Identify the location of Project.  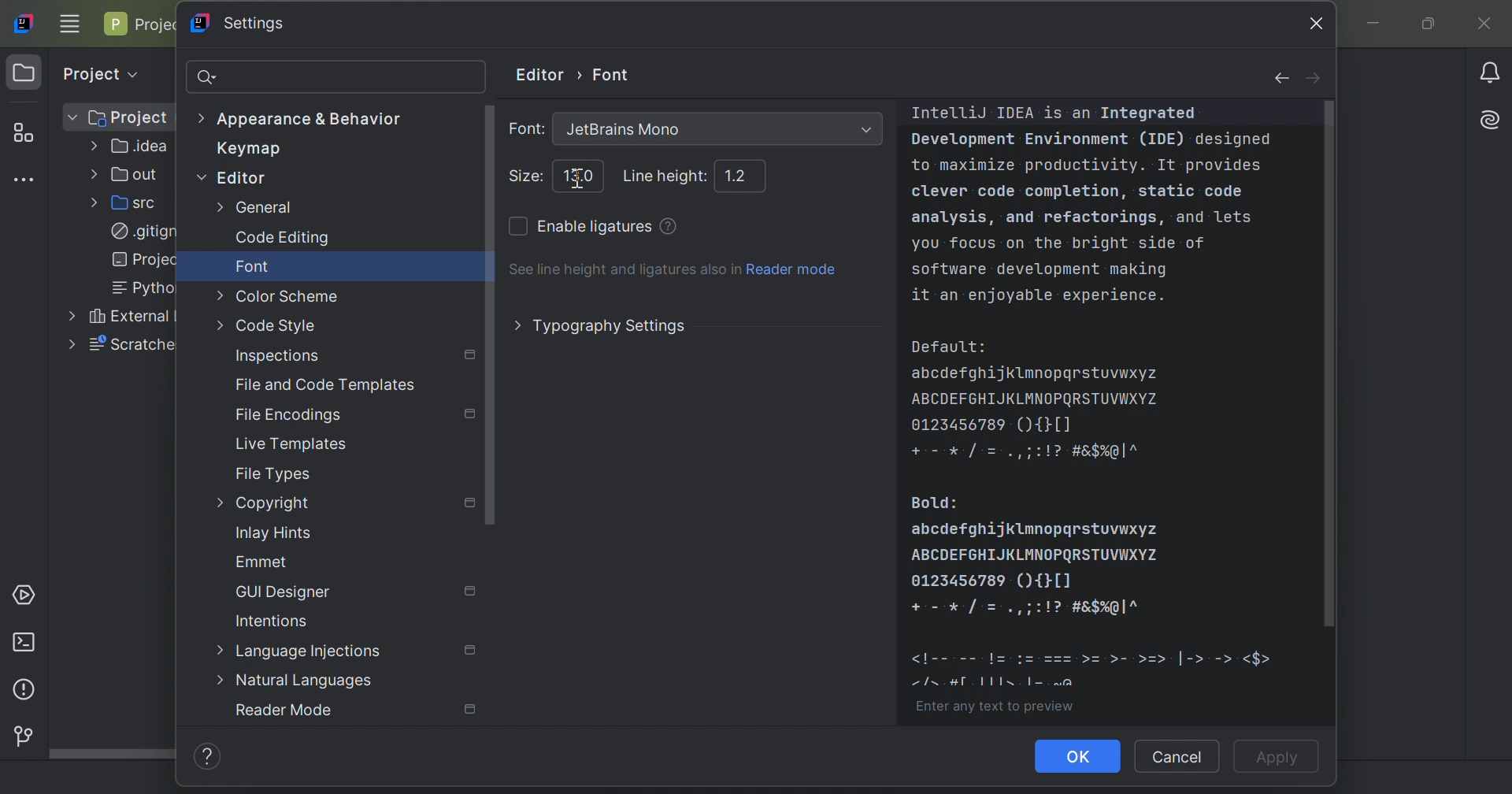
(24, 73).